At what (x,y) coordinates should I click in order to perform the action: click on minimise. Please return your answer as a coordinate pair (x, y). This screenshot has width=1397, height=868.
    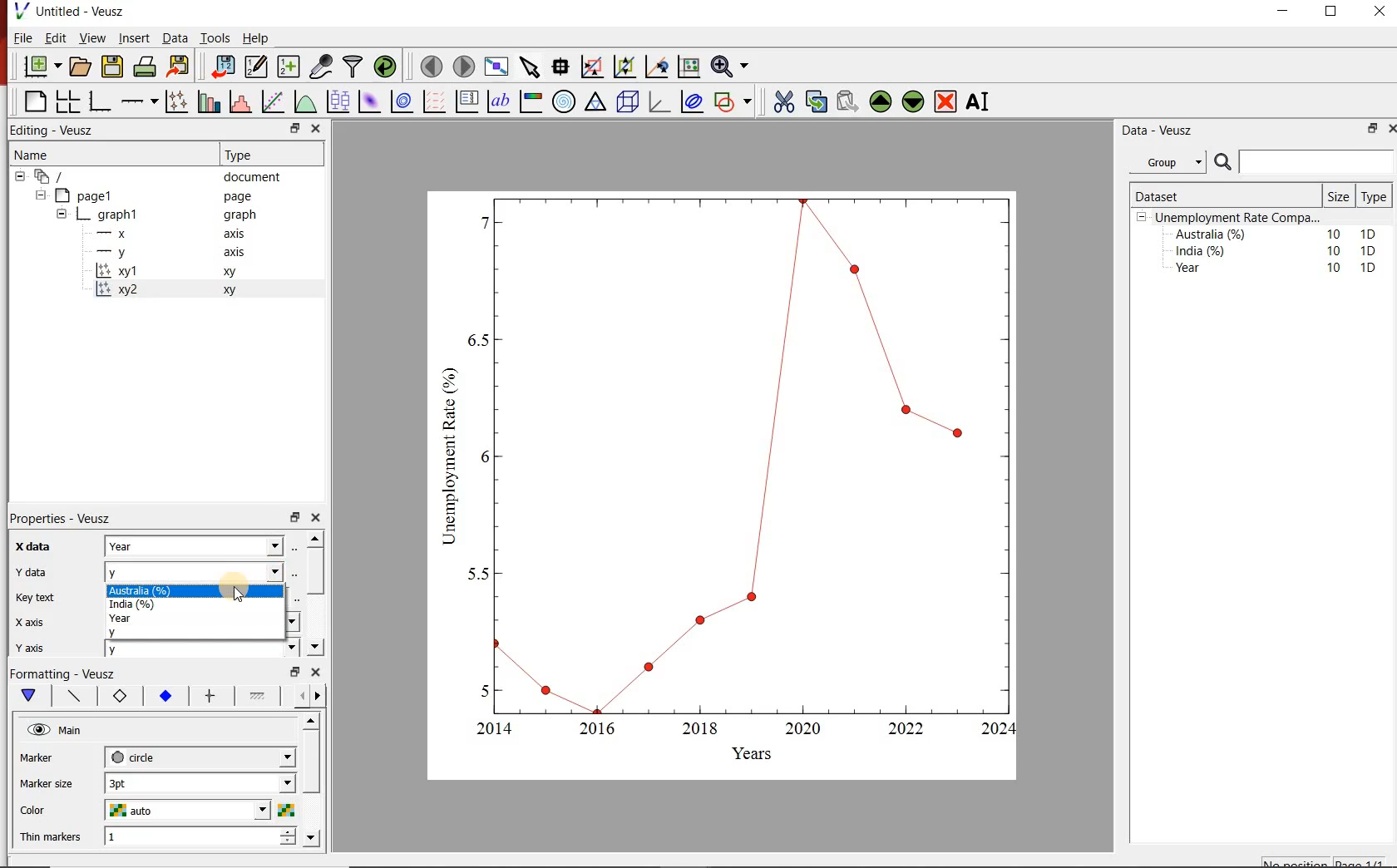
    Looking at the image, I should click on (294, 516).